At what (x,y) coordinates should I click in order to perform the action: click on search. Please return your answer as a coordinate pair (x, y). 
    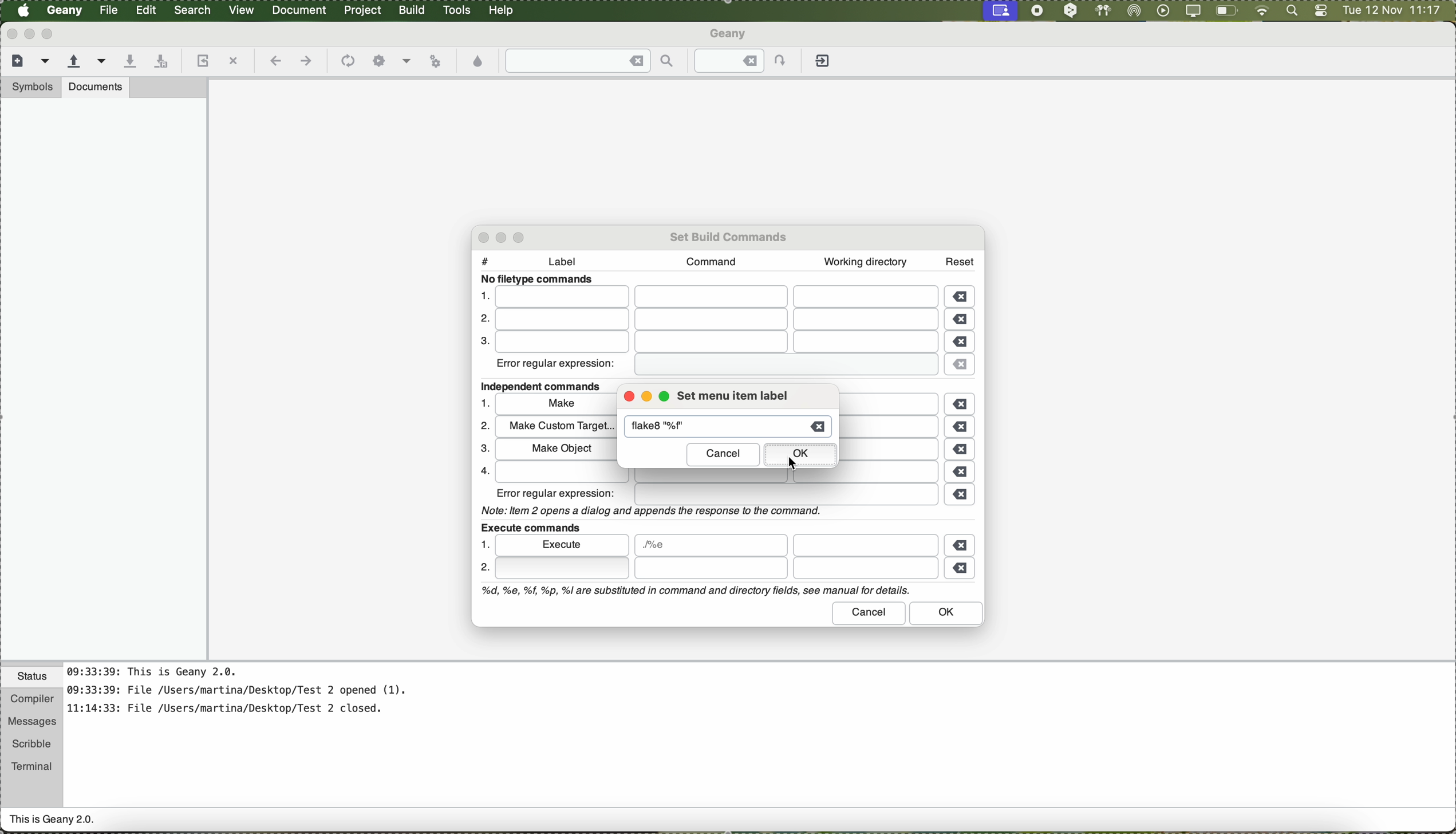
    Looking at the image, I should click on (194, 10).